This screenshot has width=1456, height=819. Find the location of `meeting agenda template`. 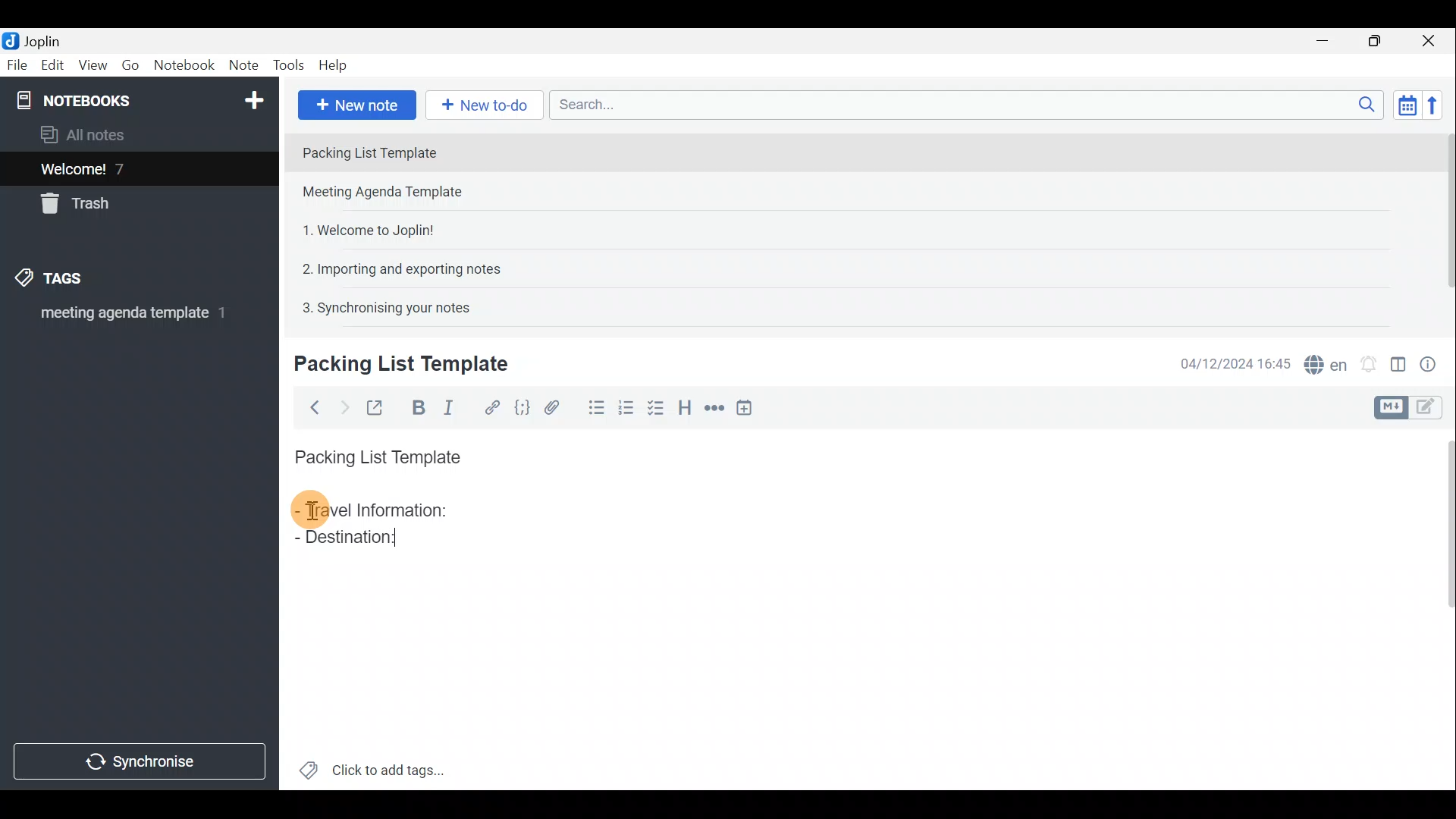

meeting agenda template is located at coordinates (130, 318).